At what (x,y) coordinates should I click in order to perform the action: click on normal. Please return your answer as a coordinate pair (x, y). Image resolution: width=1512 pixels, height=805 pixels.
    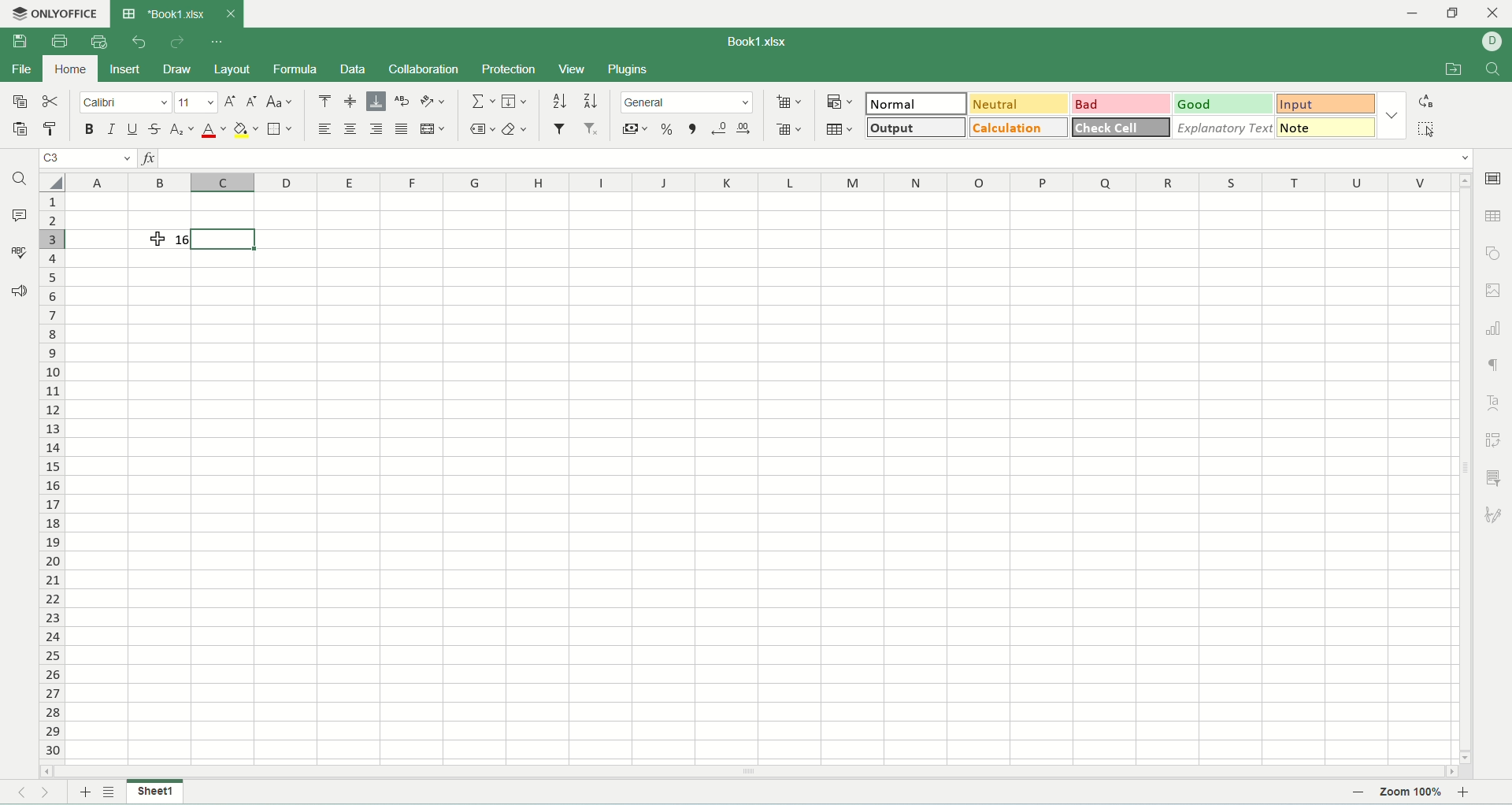
    Looking at the image, I should click on (918, 103).